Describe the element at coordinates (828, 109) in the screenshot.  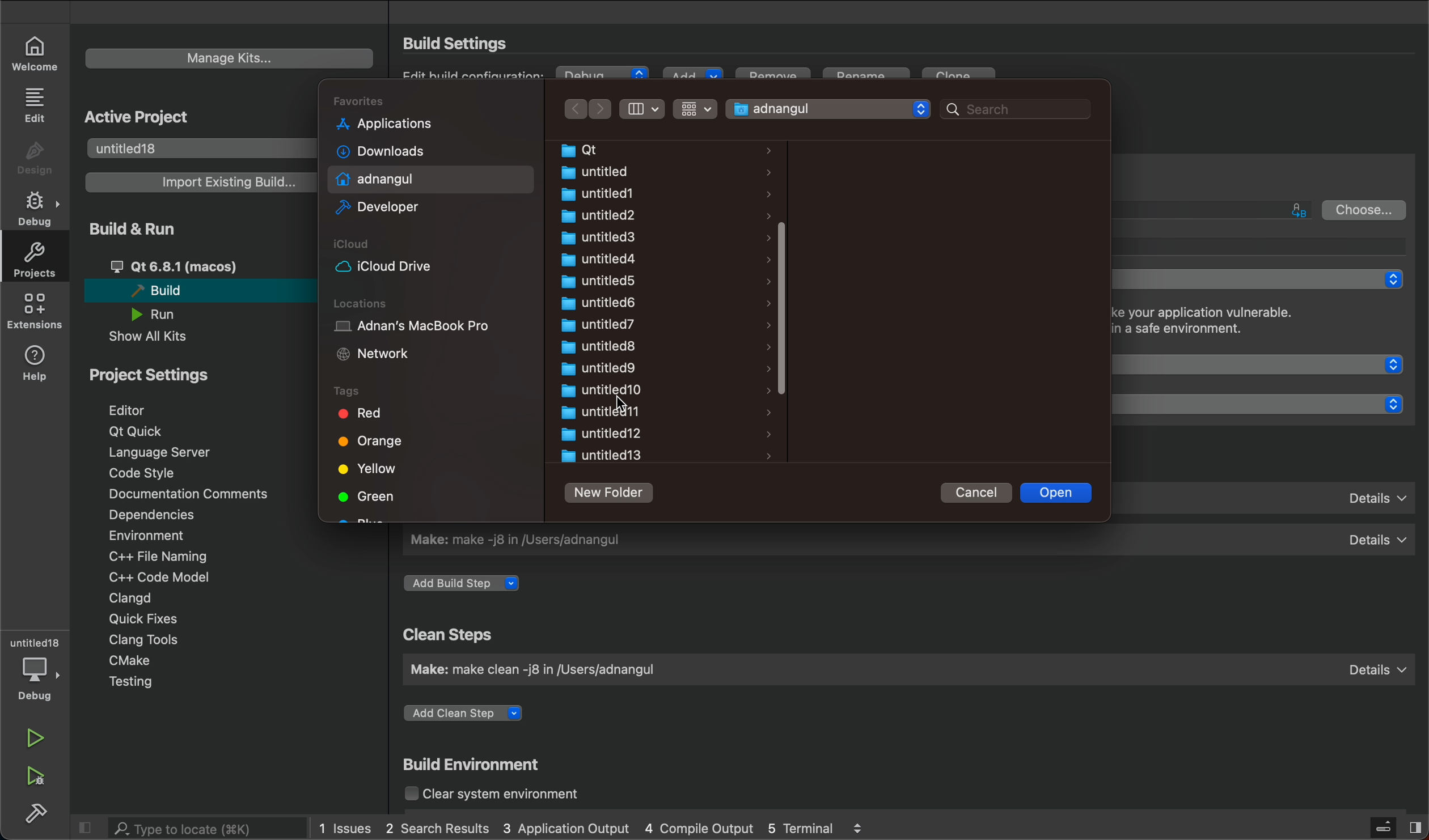
I see `adnangul` at that location.